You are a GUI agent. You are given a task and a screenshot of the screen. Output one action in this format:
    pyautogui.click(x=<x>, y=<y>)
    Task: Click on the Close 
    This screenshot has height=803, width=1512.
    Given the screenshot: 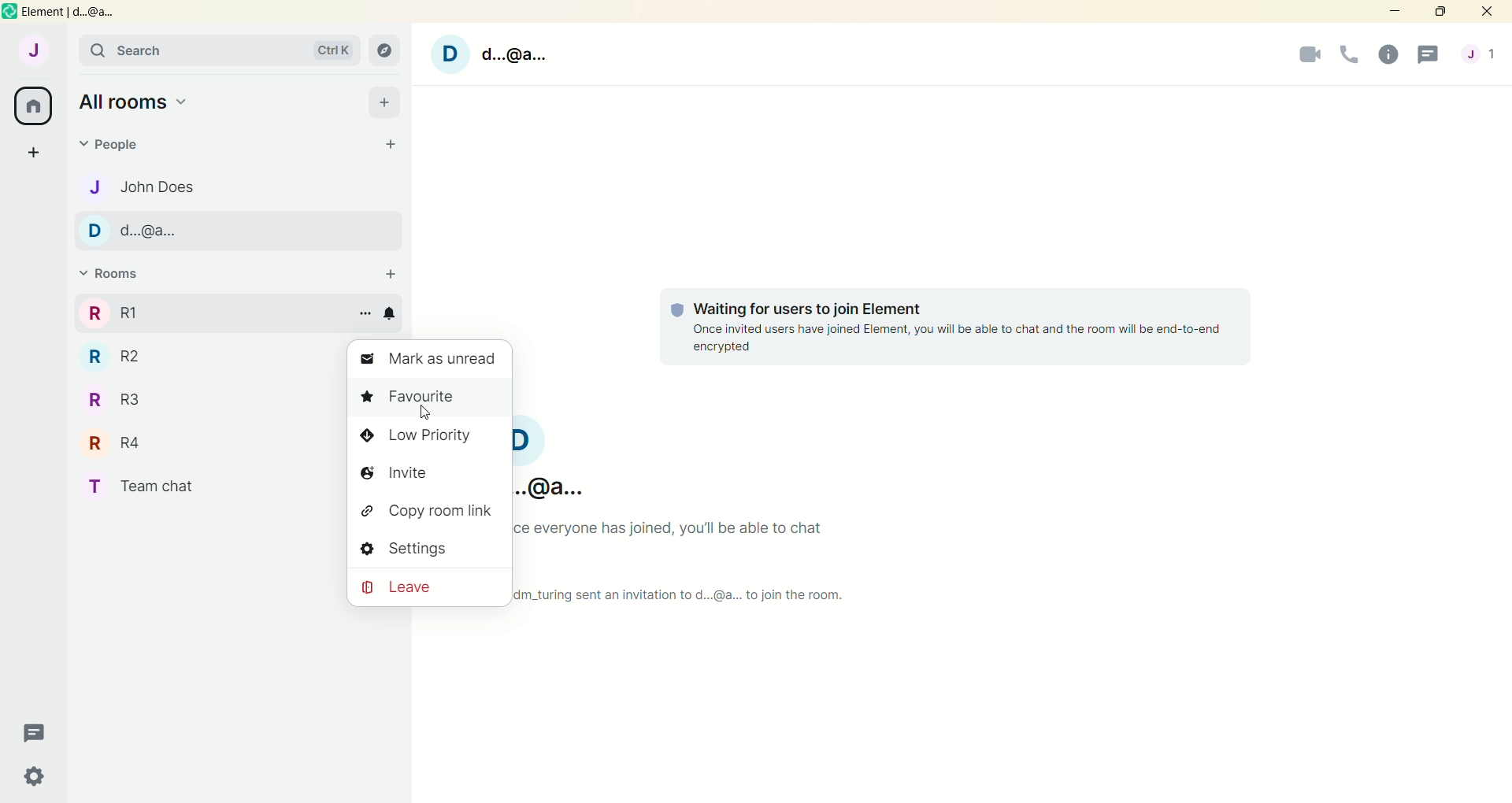 What is the action you would take?
    pyautogui.click(x=1490, y=12)
    